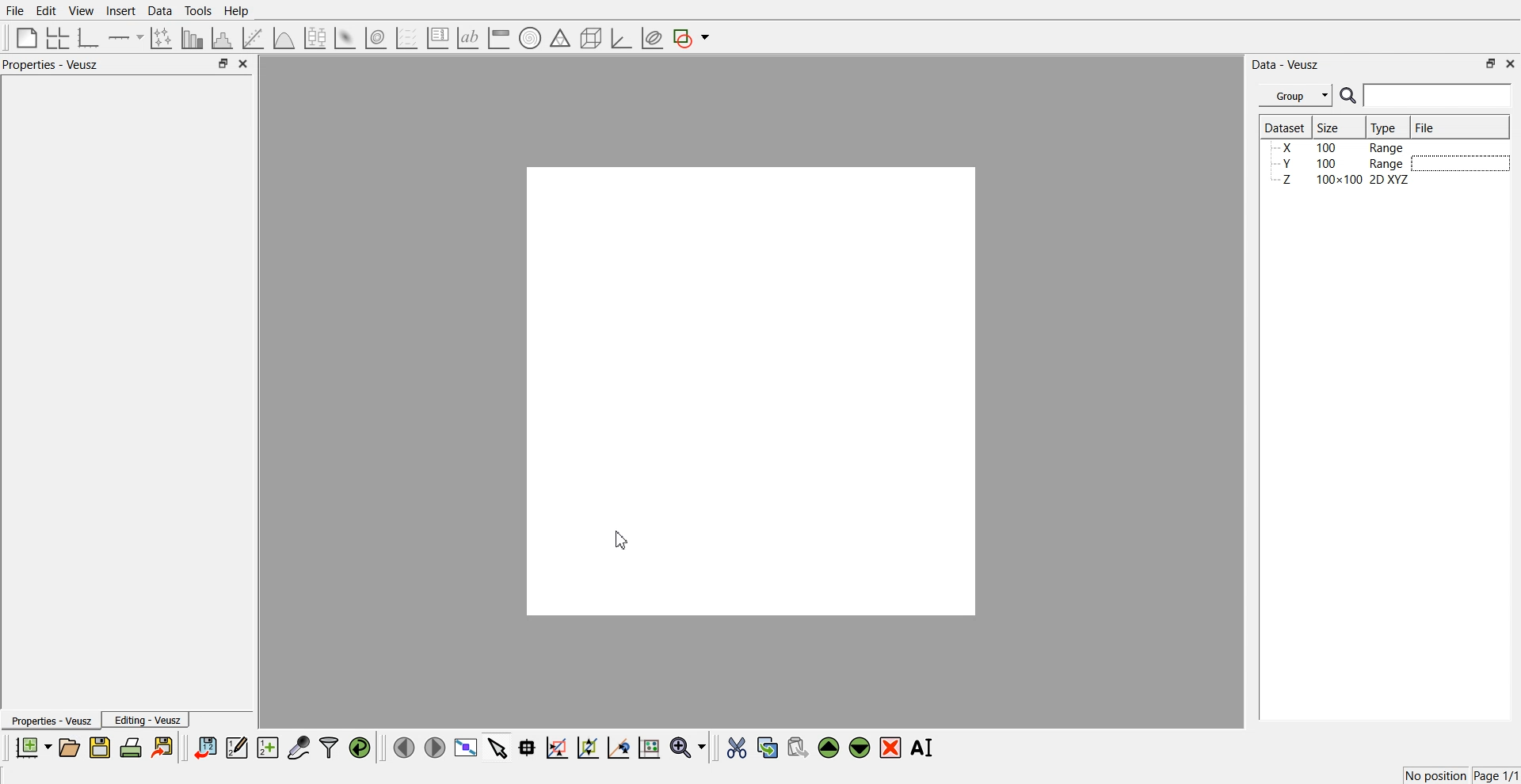  I want to click on Ternary Graph, so click(560, 37).